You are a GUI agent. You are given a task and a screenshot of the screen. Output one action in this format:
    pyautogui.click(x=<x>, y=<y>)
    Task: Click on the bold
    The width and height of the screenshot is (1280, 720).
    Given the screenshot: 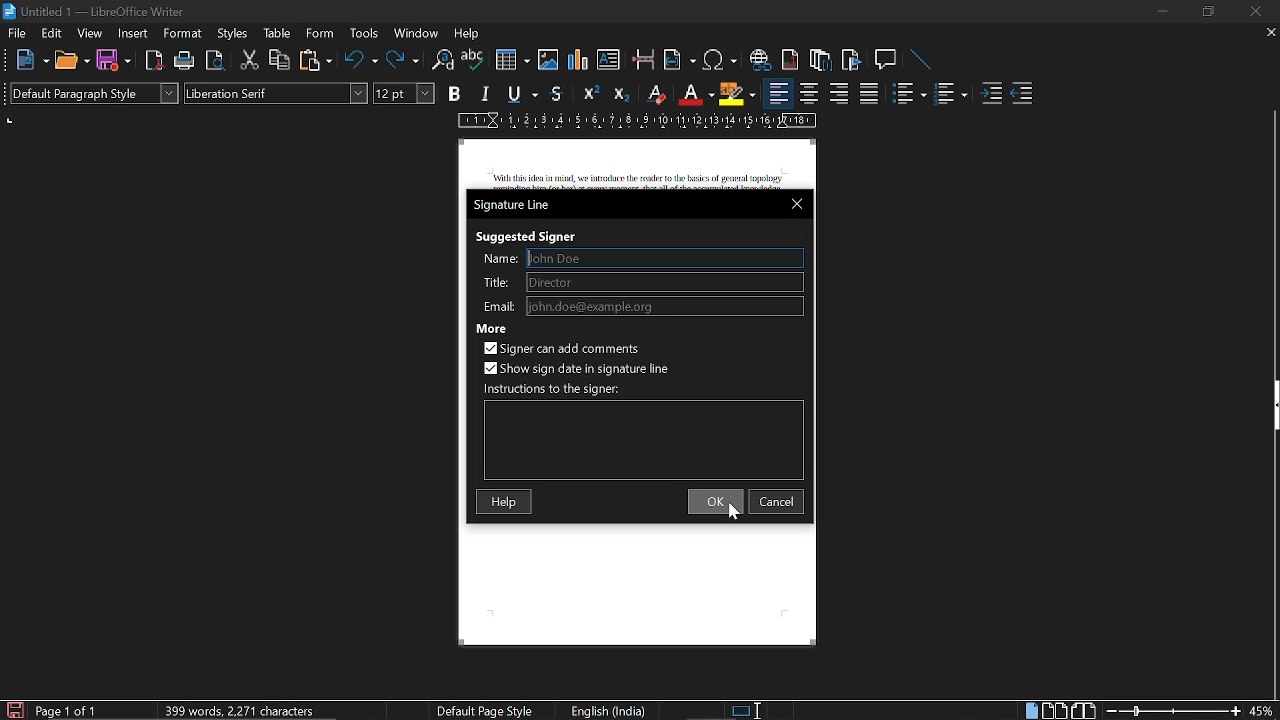 What is the action you would take?
    pyautogui.click(x=456, y=93)
    